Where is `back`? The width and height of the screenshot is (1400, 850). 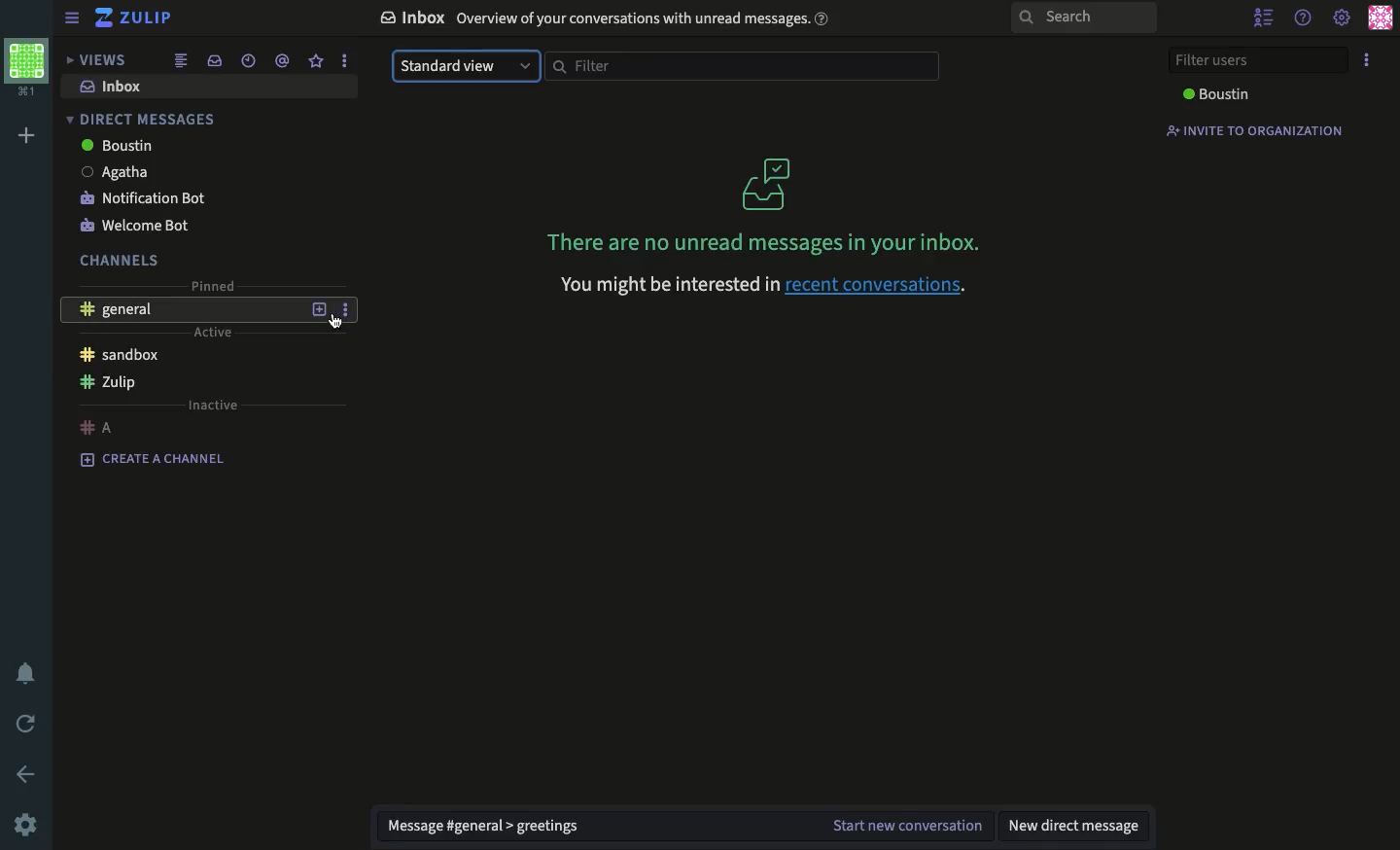
back is located at coordinates (29, 773).